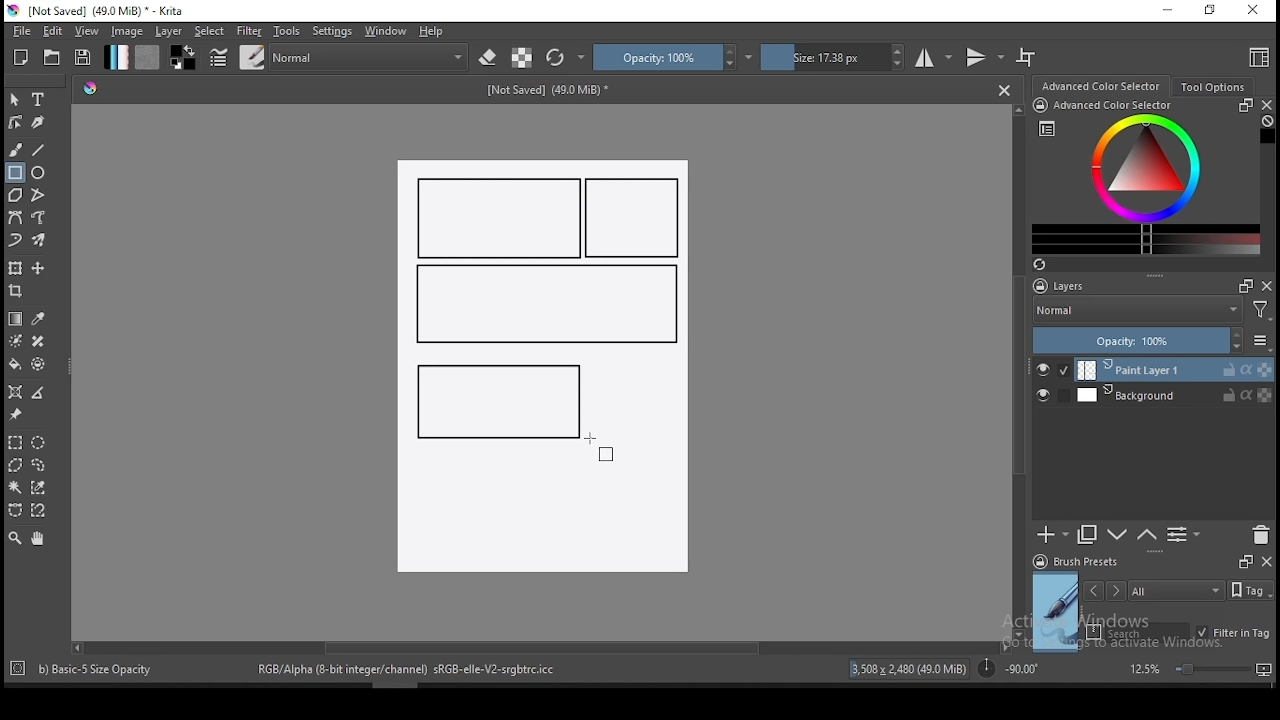 Image resolution: width=1280 pixels, height=720 pixels. I want to click on new rectangle, so click(636, 219).